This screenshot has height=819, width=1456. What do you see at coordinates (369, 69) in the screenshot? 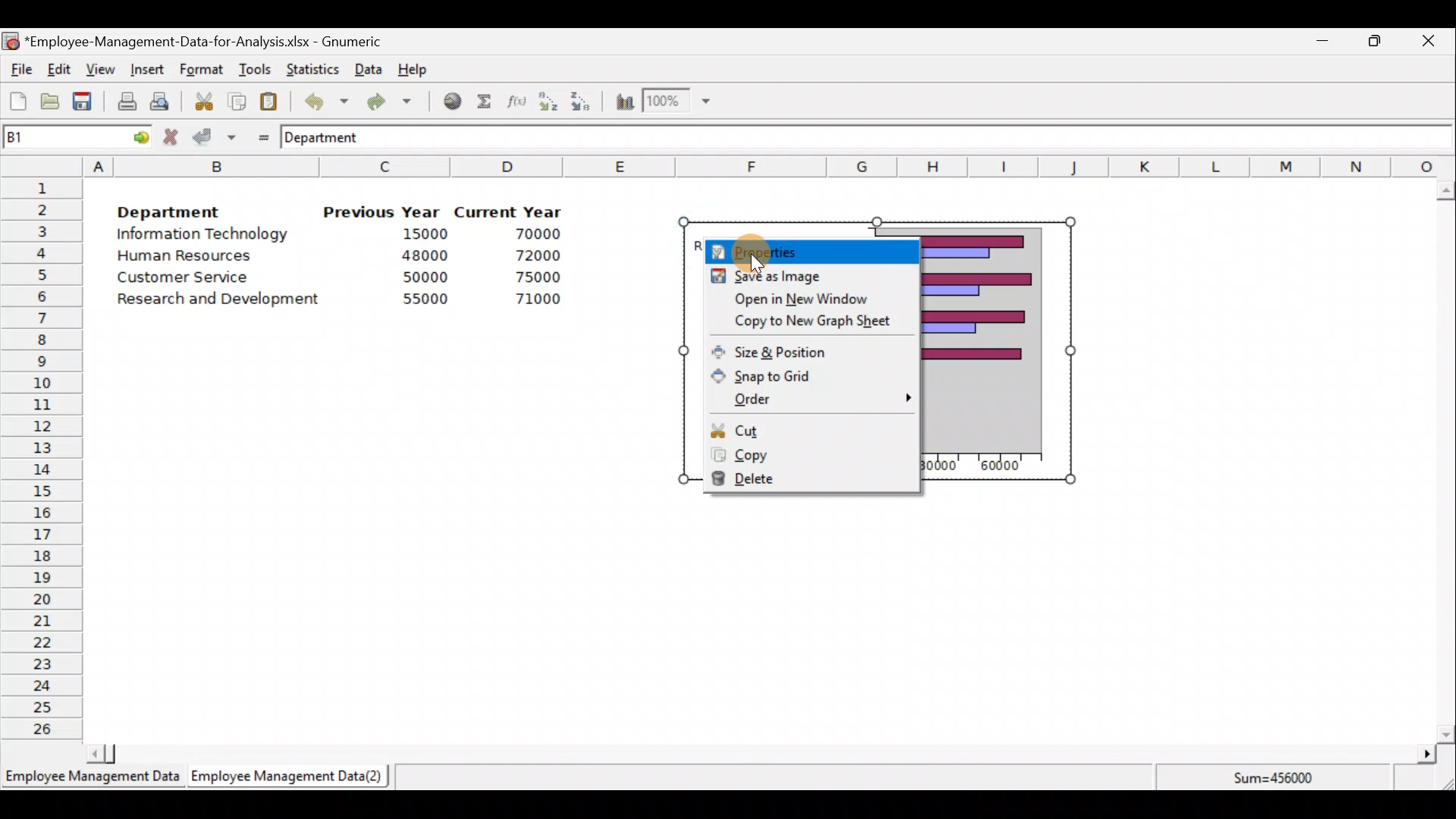
I see `Data` at bounding box center [369, 69].